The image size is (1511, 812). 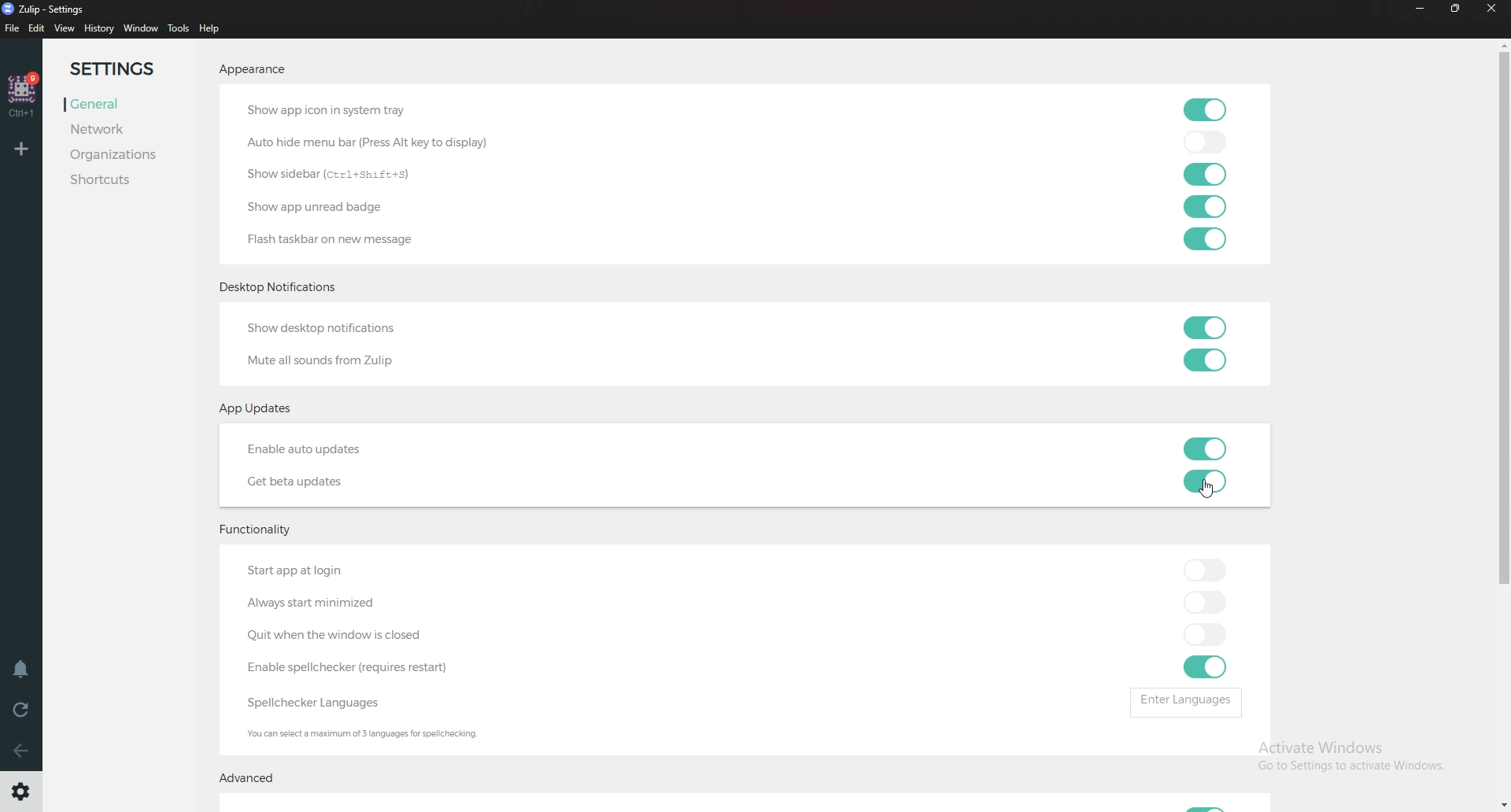 What do you see at coordinates (1206, 448) in the screenshot?
I see `toggle` at bounding box center [1206, 448].